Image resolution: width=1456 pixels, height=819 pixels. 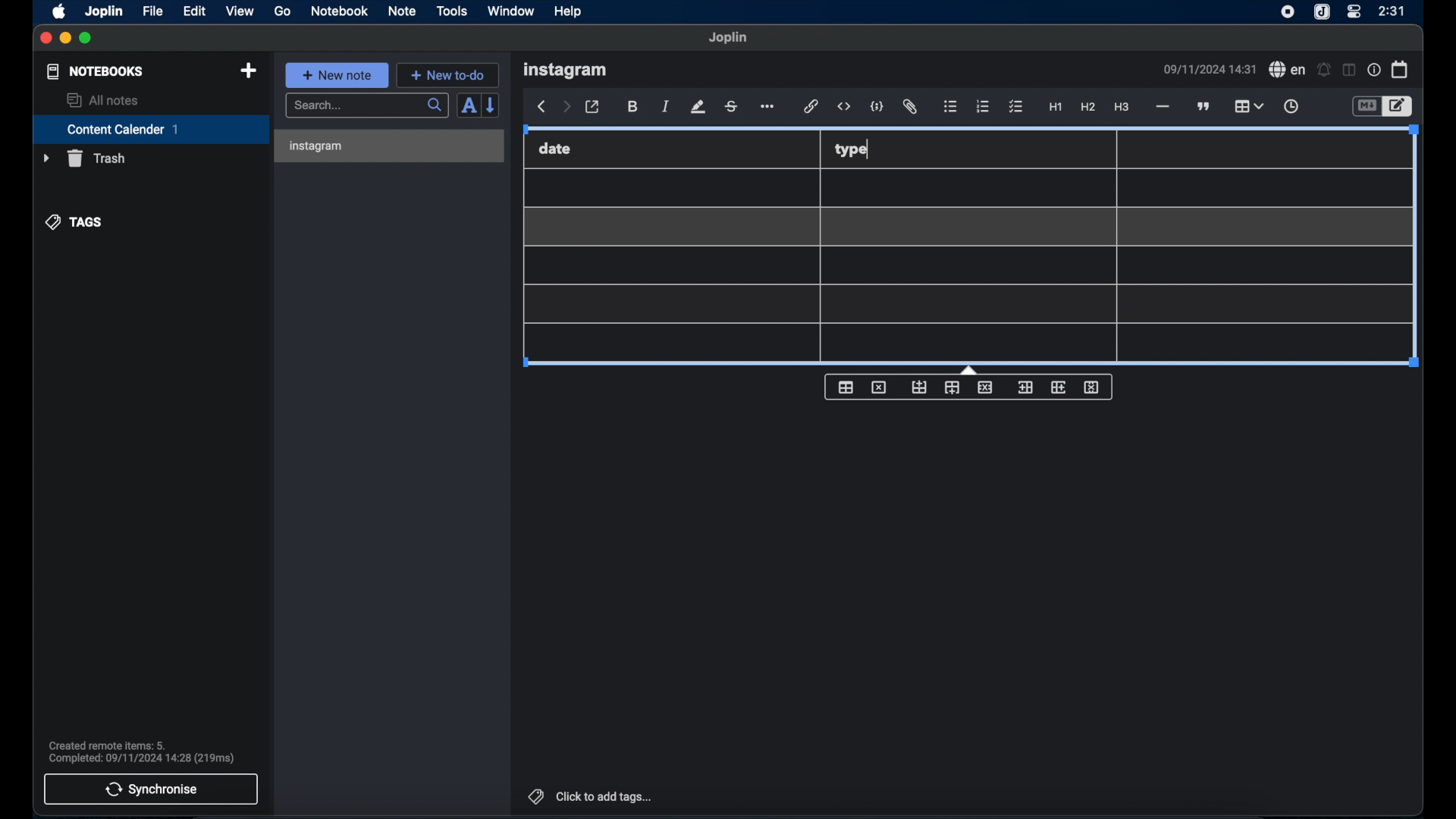 I want to click on time, so click(x=1392, y=11).